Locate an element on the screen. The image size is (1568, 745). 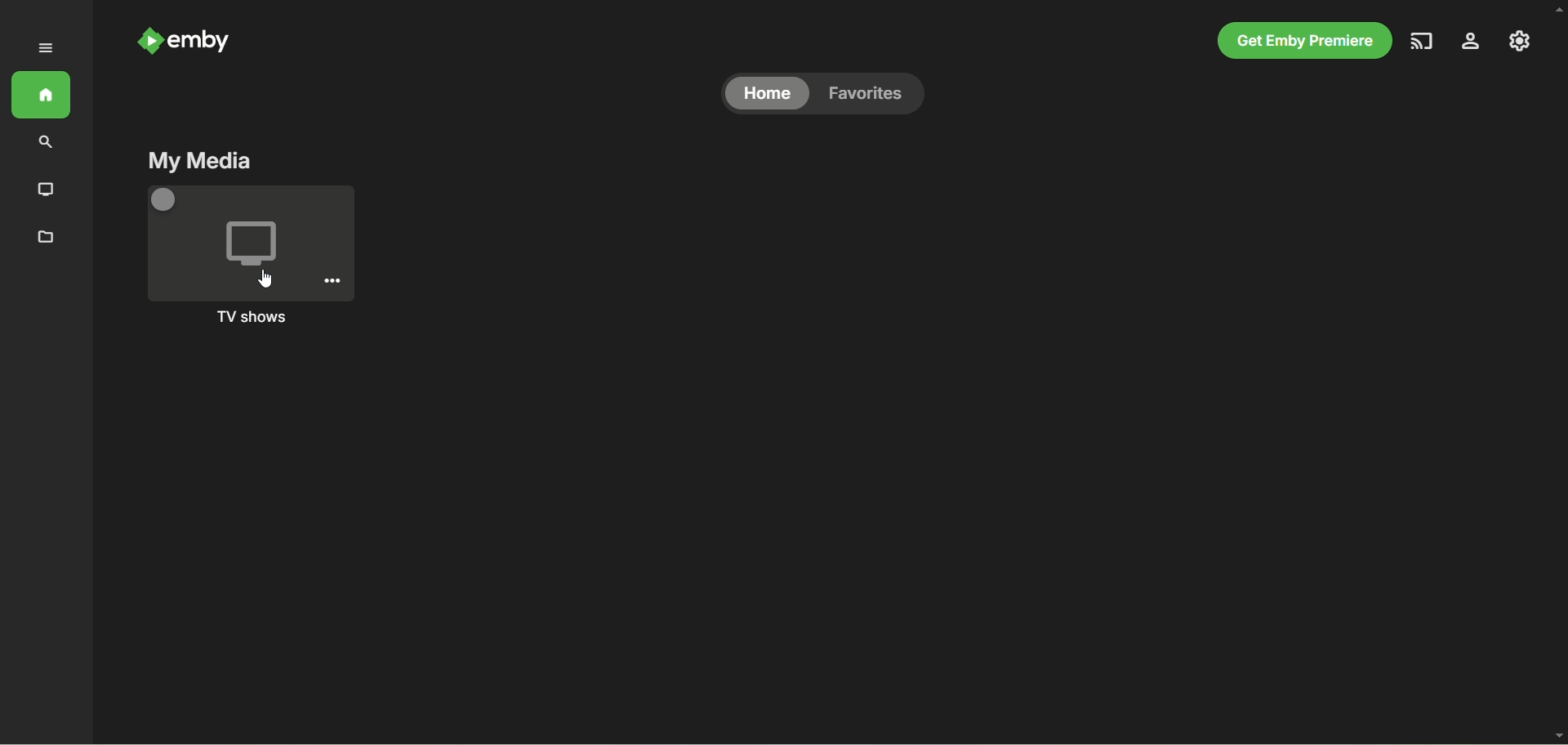
folder is located at coordinates (48, 239).